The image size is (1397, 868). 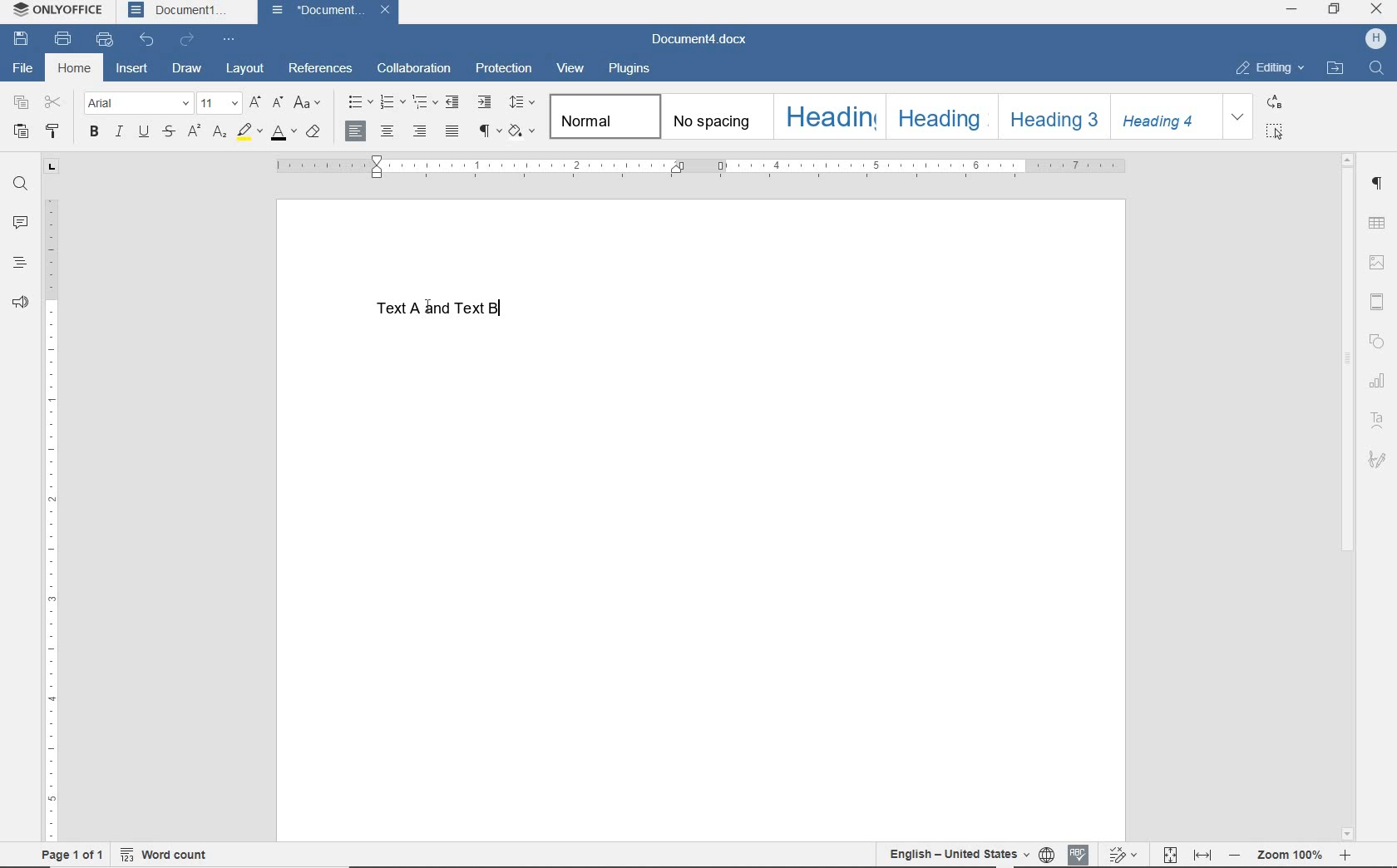 I want to click on TAB STOP, so click(x=51, y=167).